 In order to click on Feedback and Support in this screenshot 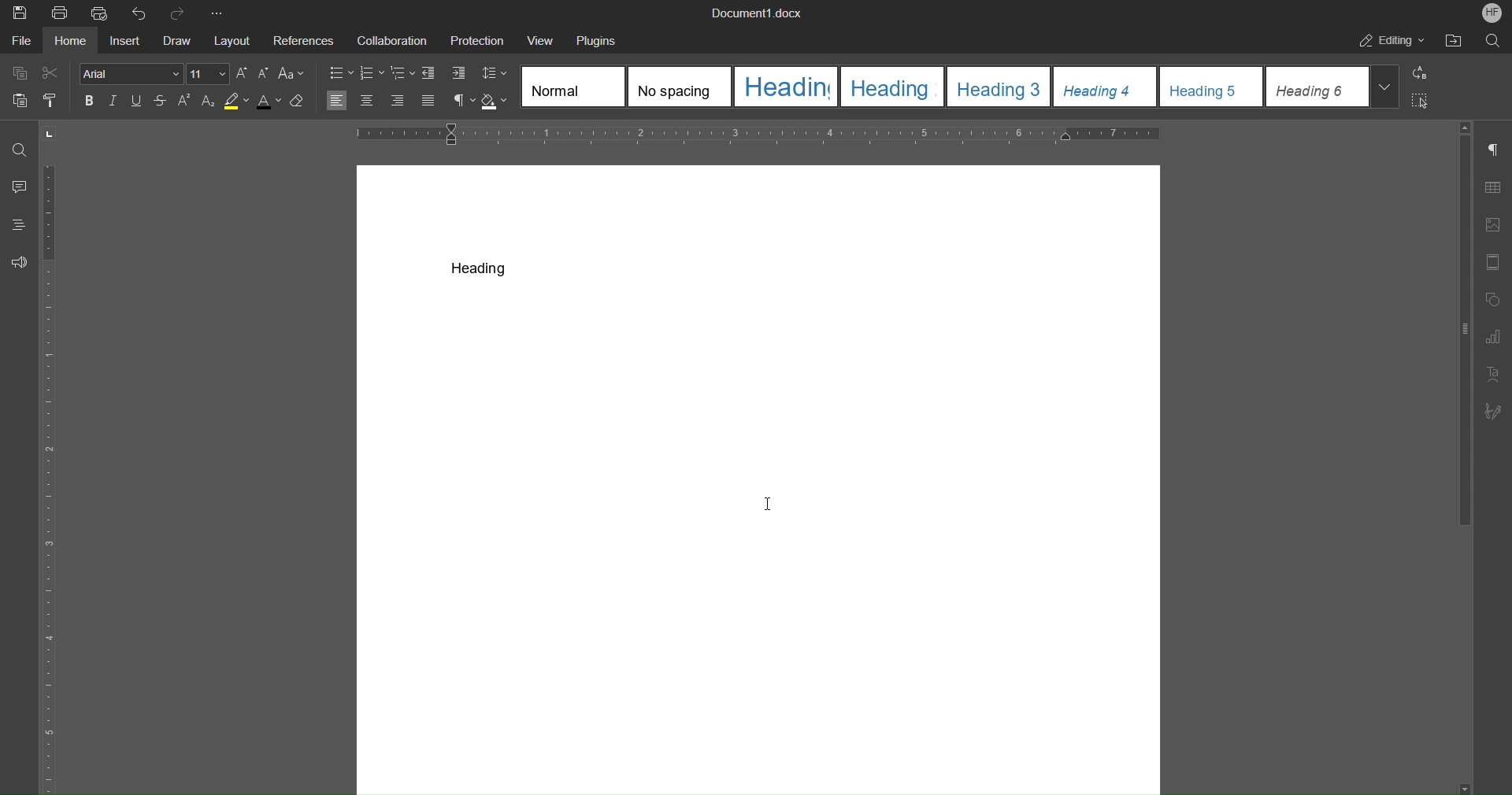, I will do `click(19, 262)`.